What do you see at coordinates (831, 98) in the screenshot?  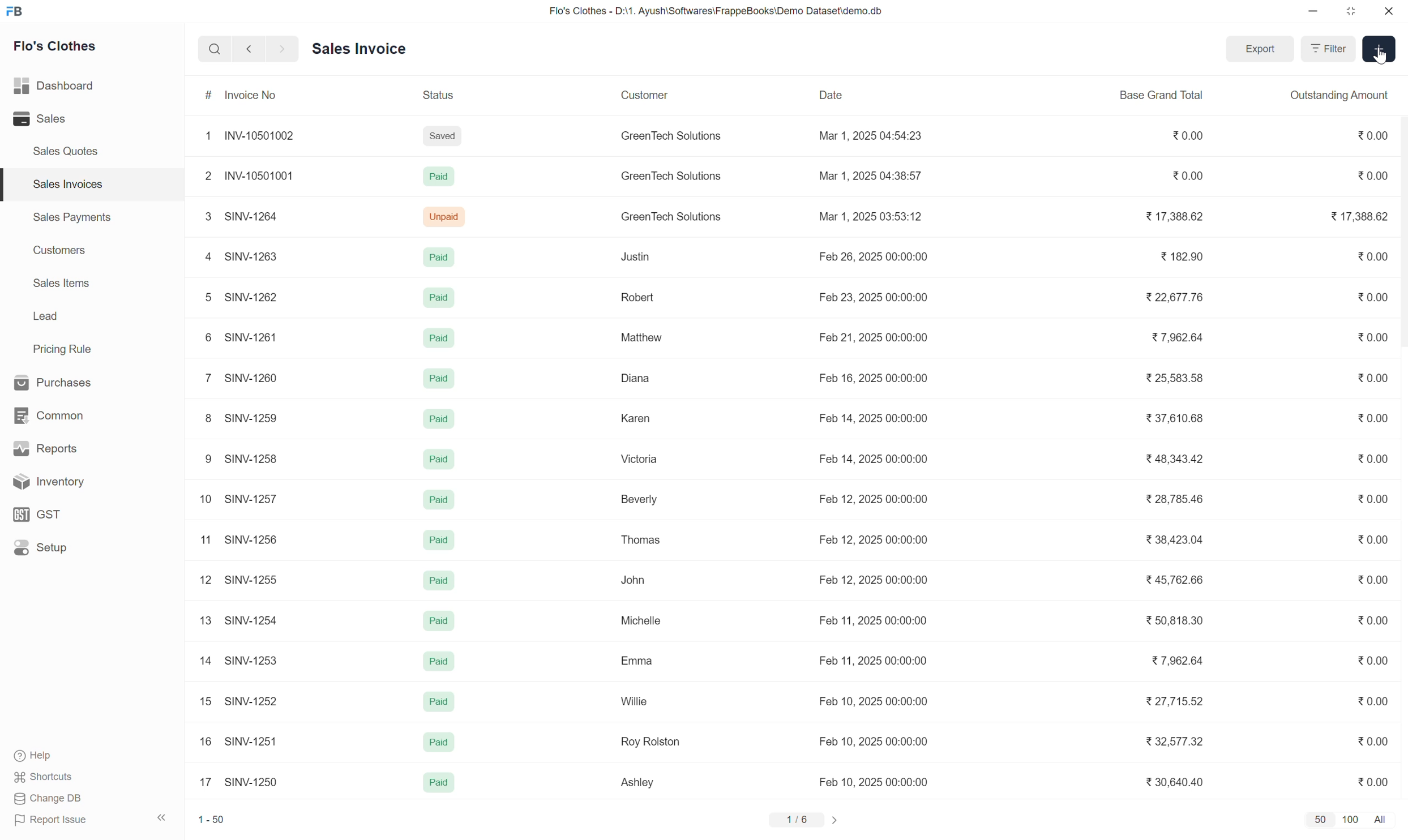 I see `Date` at bounding box center [831, 98].